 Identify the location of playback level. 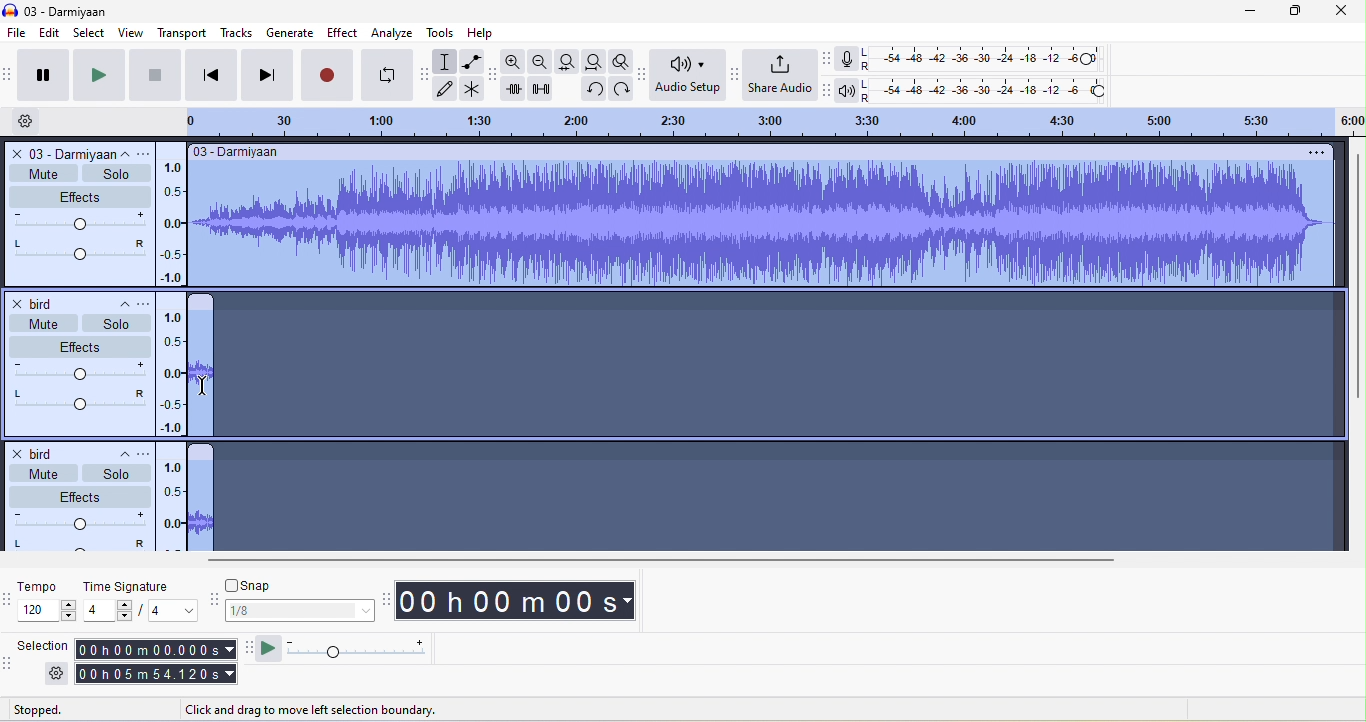
(989, 90).